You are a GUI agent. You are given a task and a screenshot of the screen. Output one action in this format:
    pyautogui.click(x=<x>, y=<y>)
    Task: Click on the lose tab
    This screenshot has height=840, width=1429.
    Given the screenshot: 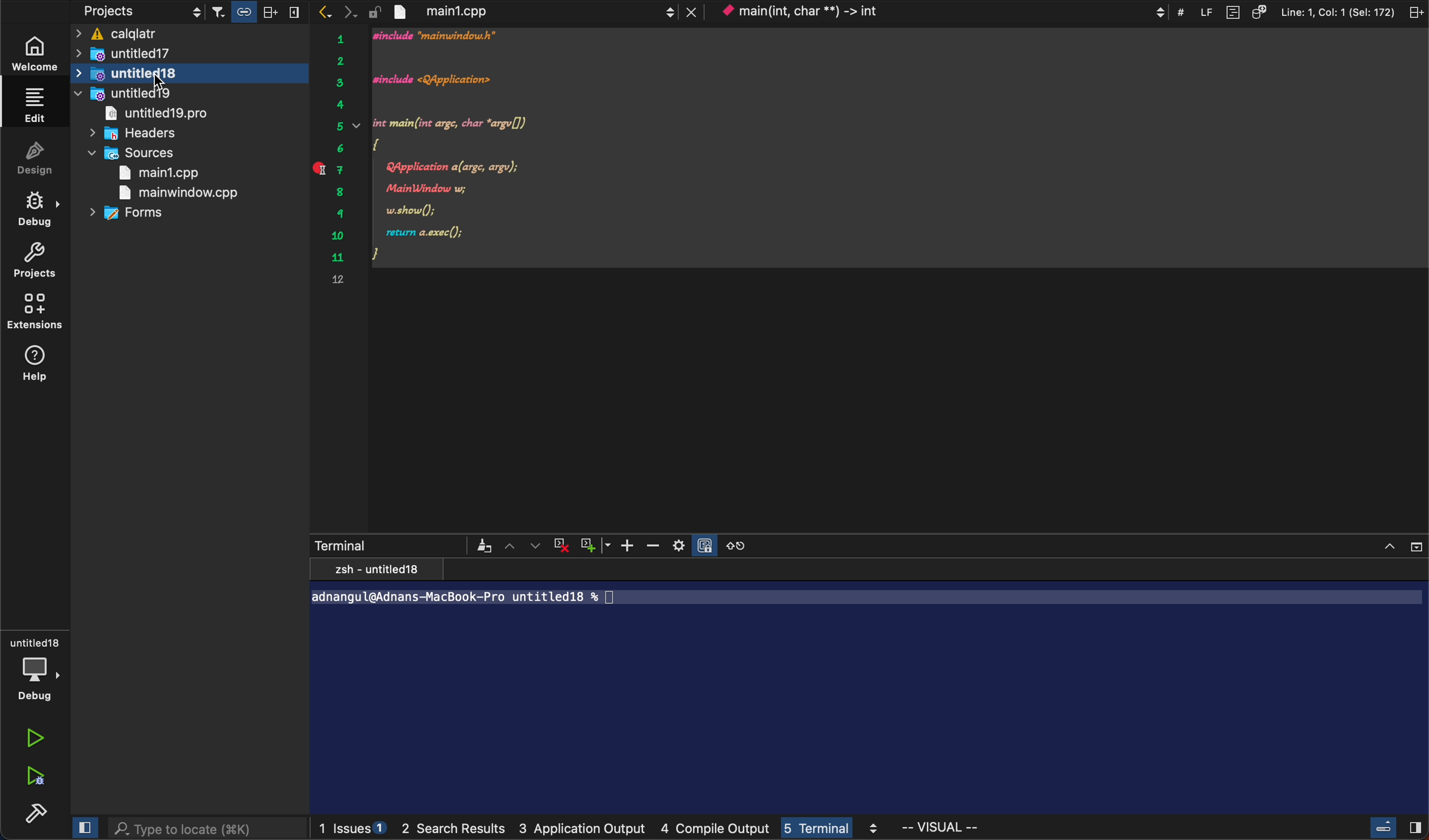 What is the action you would take?
    pyautogui.click(x=692, y=12)
    